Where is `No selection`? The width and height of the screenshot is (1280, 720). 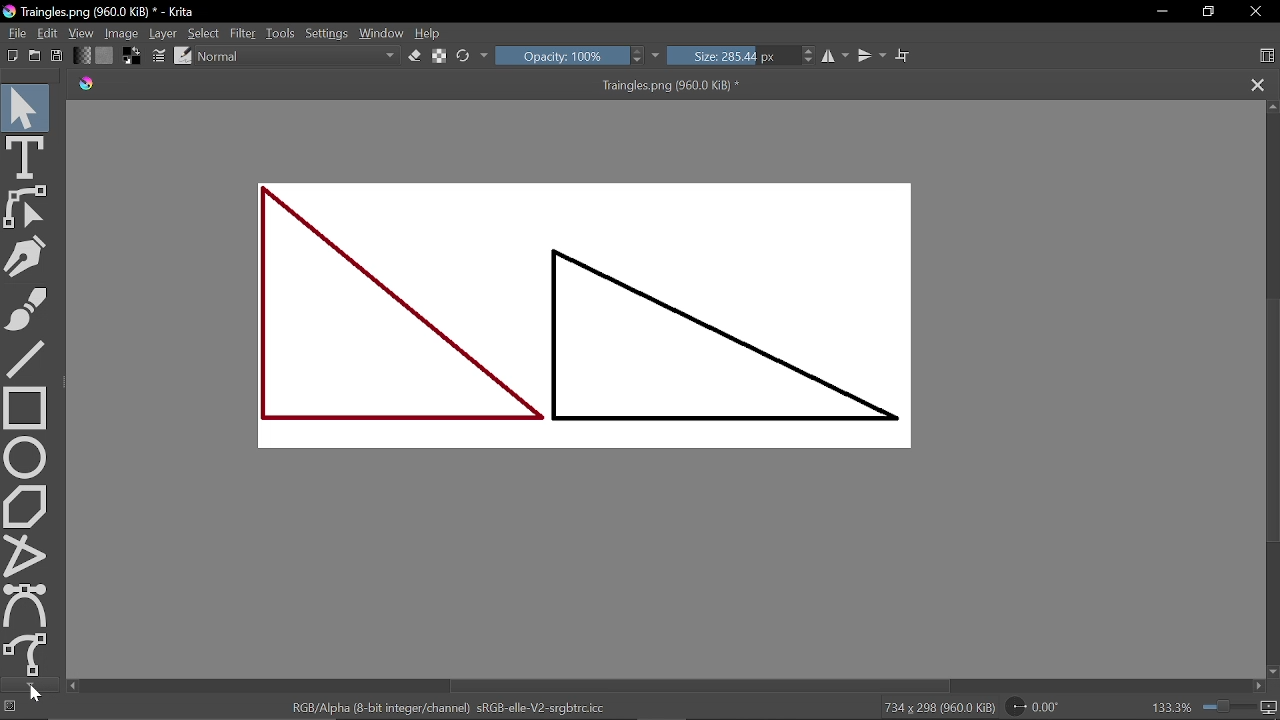 No selection is located at coordinates (11, 708).